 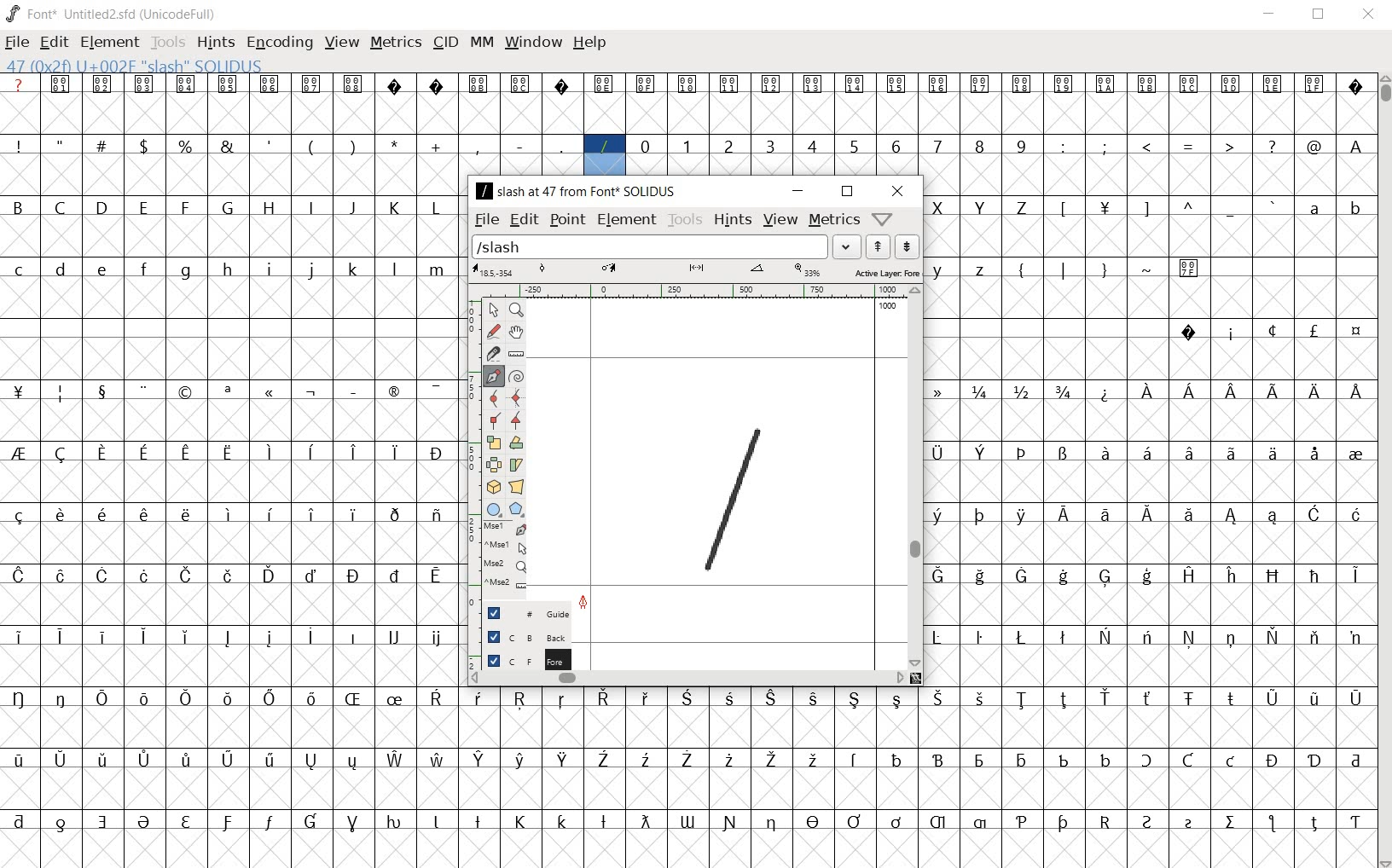 What do you see at coordinates (524, 219) in the screenshot?
I see `edit` at bounding box center [524, 219].